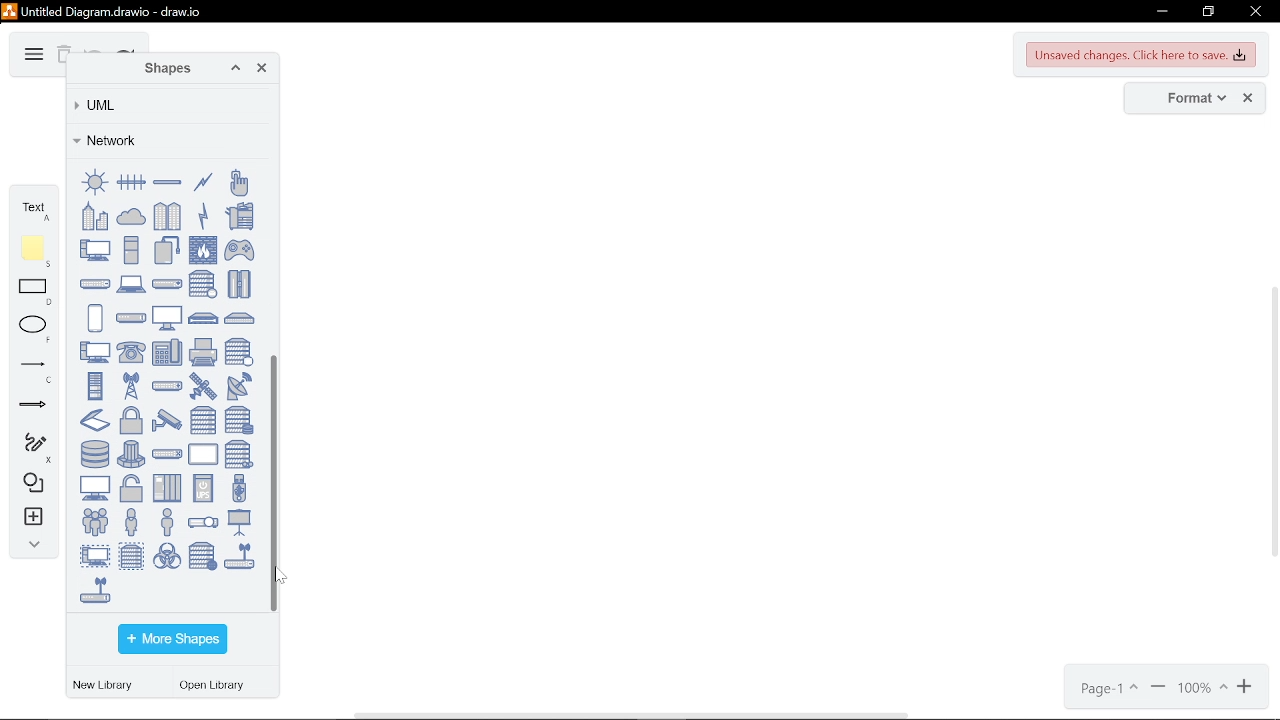  What do you see at coordinates (203, 420) in the screenshot?
I see `server` at bounding box center [203, 420].